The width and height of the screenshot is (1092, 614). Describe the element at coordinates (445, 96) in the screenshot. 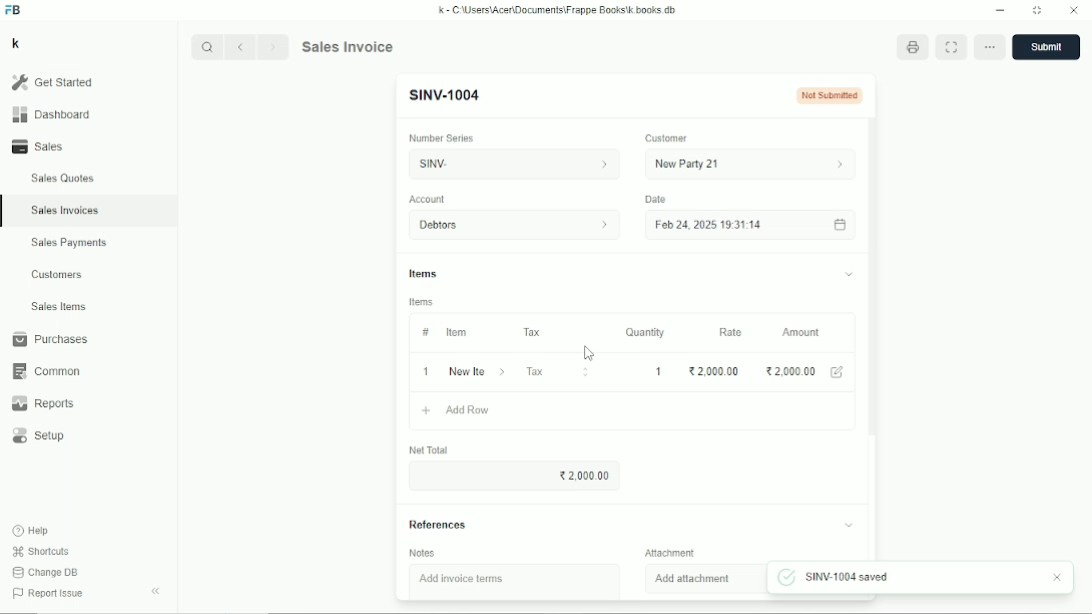

I see `New entry` at that location.